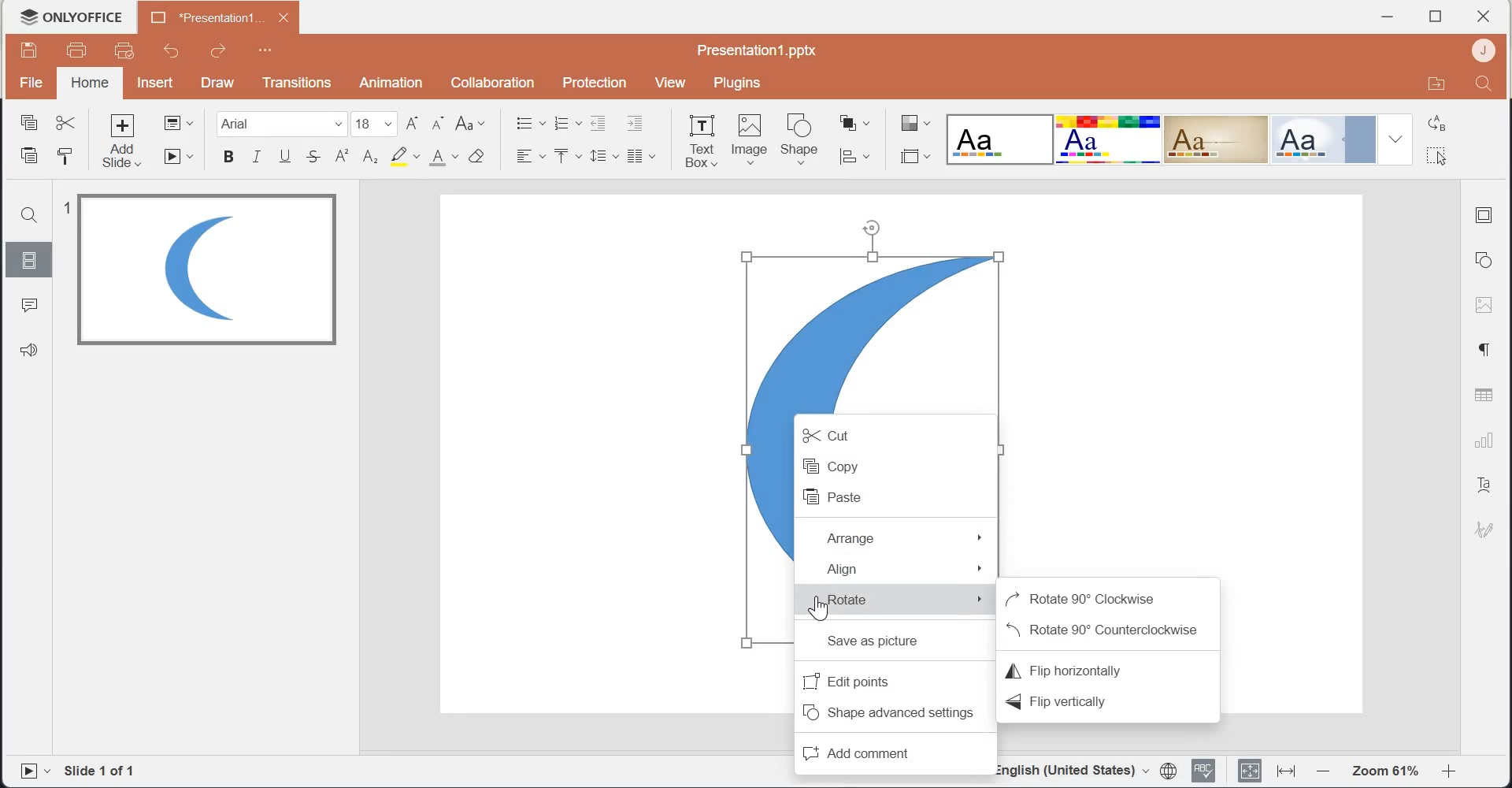 The image size is (1512, 788). What do you see at coordinates (566, 122) in the screenshot?
I see `Numbering` at bounding box center [566, 122].